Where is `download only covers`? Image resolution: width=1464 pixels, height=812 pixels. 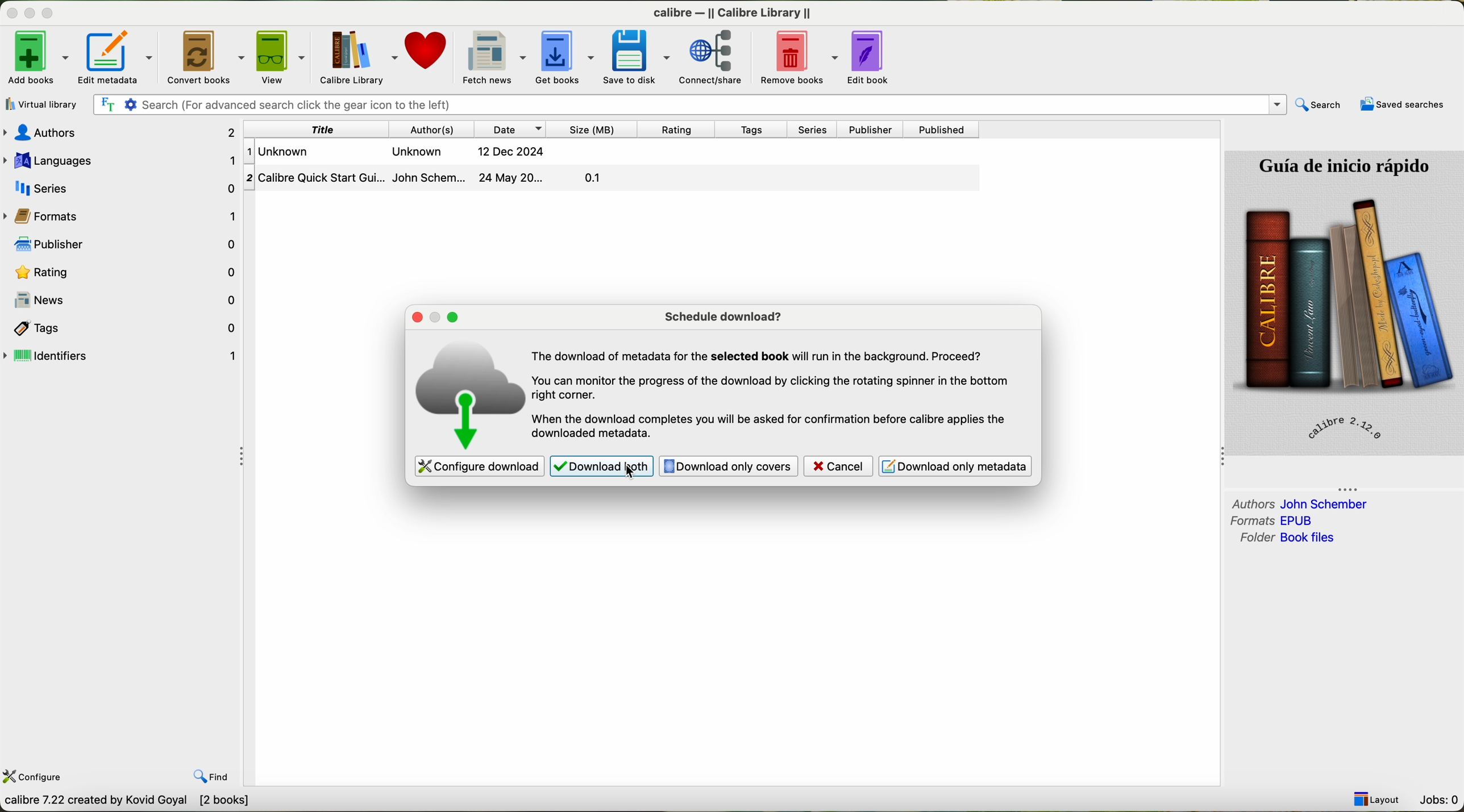
download only covers is located at coordinates (727, 467).